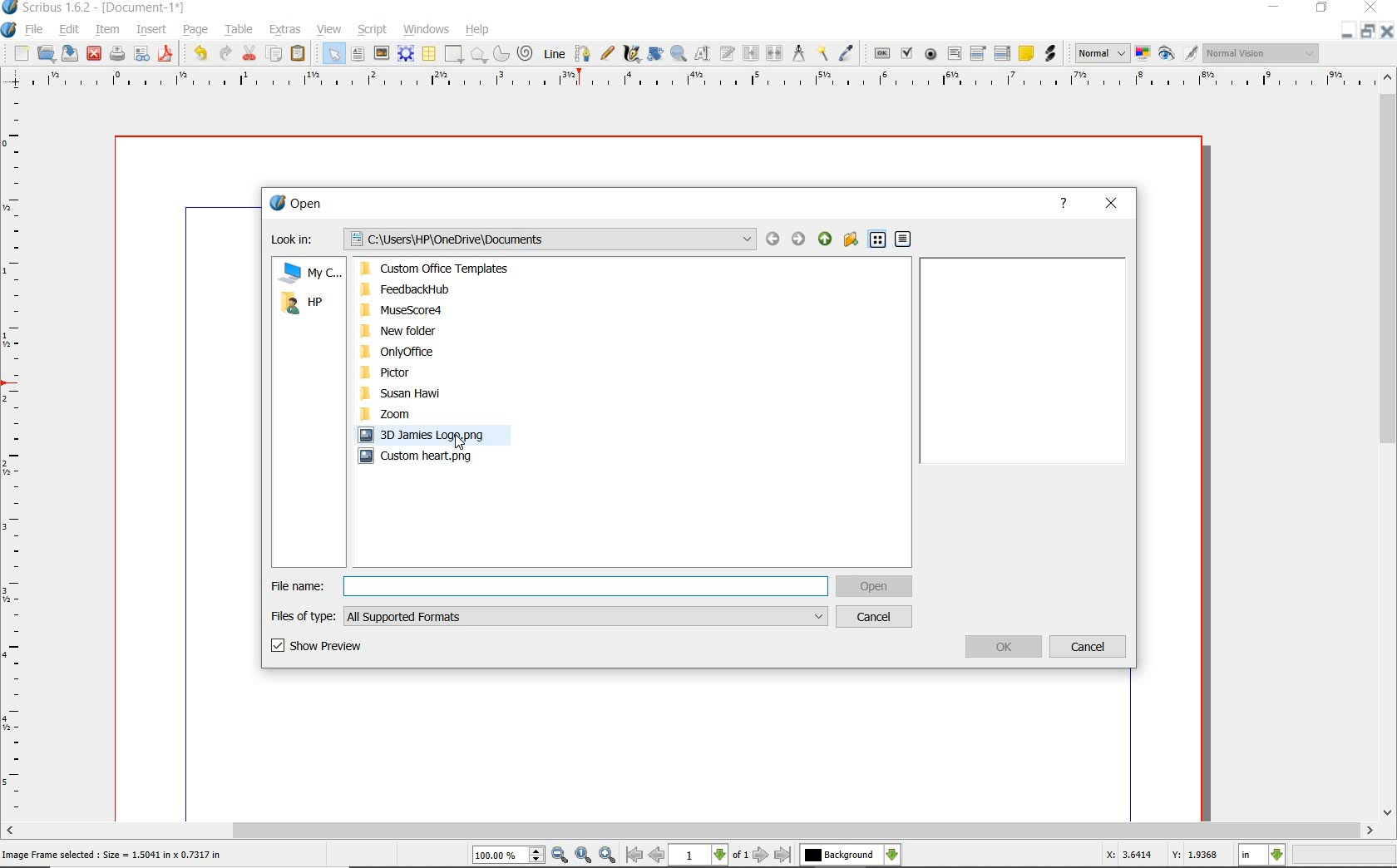 Image resolution: width=1397 pixels, height=868 pixels. Describe the element at coordinates (799, 53) in the screenshot. I see `measurements` at that location.